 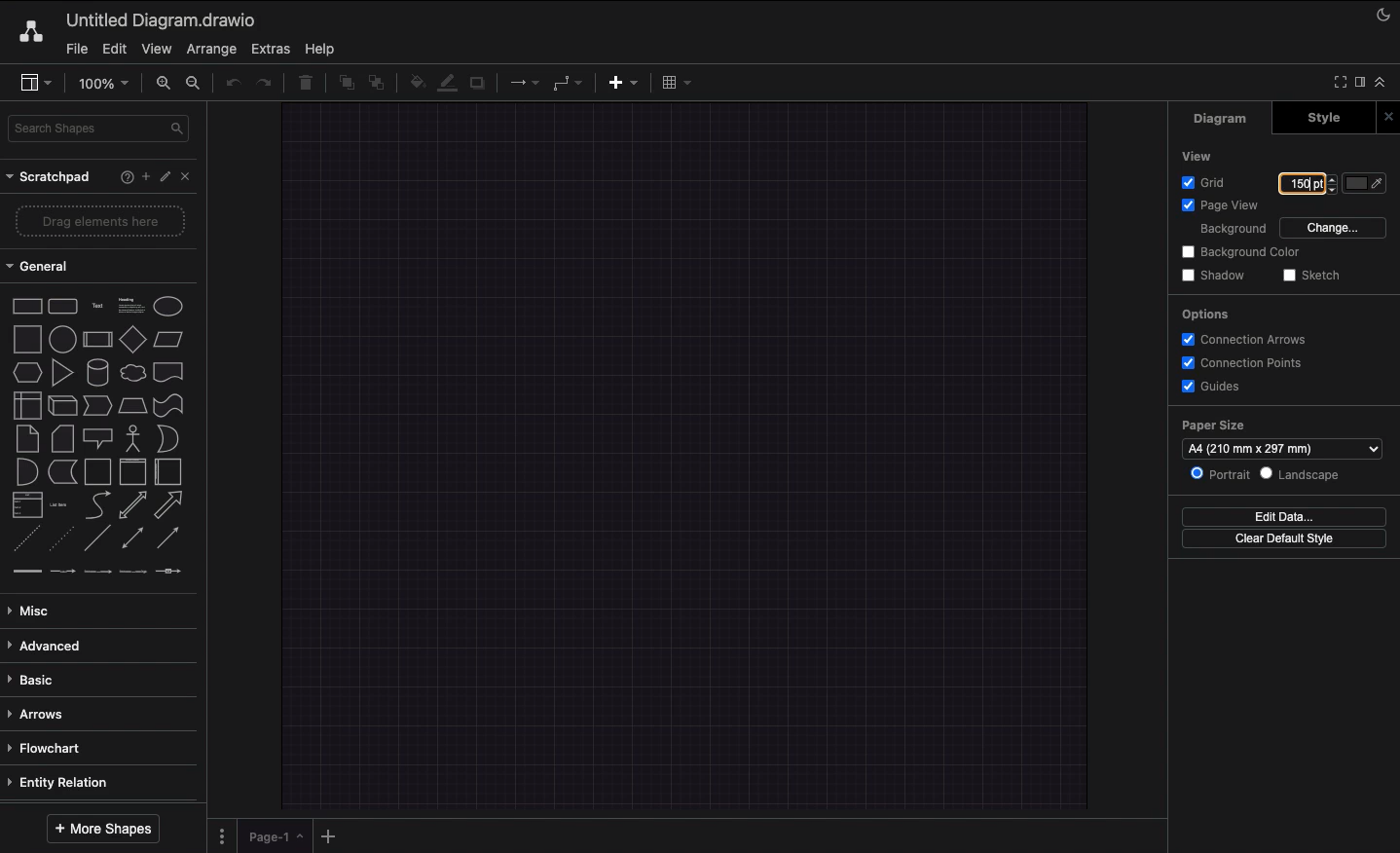 What do you see at coordinates (414, 81) in the screenshot?
I see `Fill color` at bounding box center [414, 81].